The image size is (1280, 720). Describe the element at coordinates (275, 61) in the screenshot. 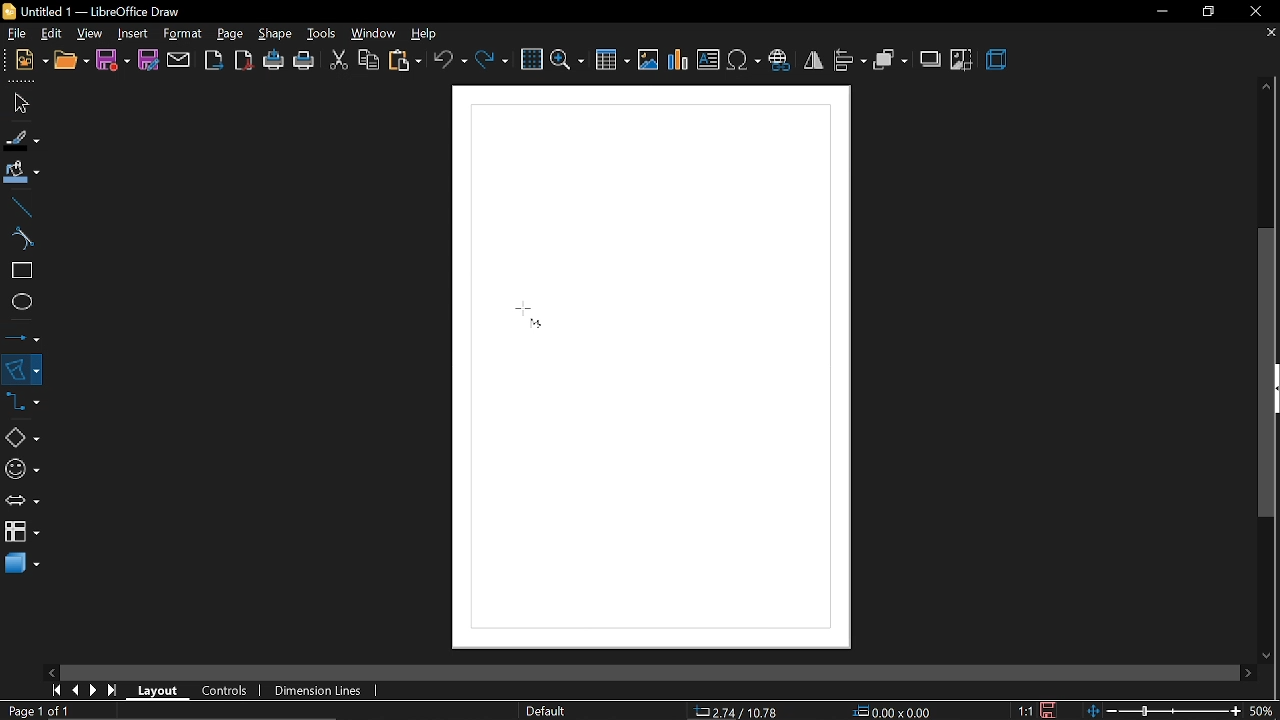

I see `print directly` at that location.